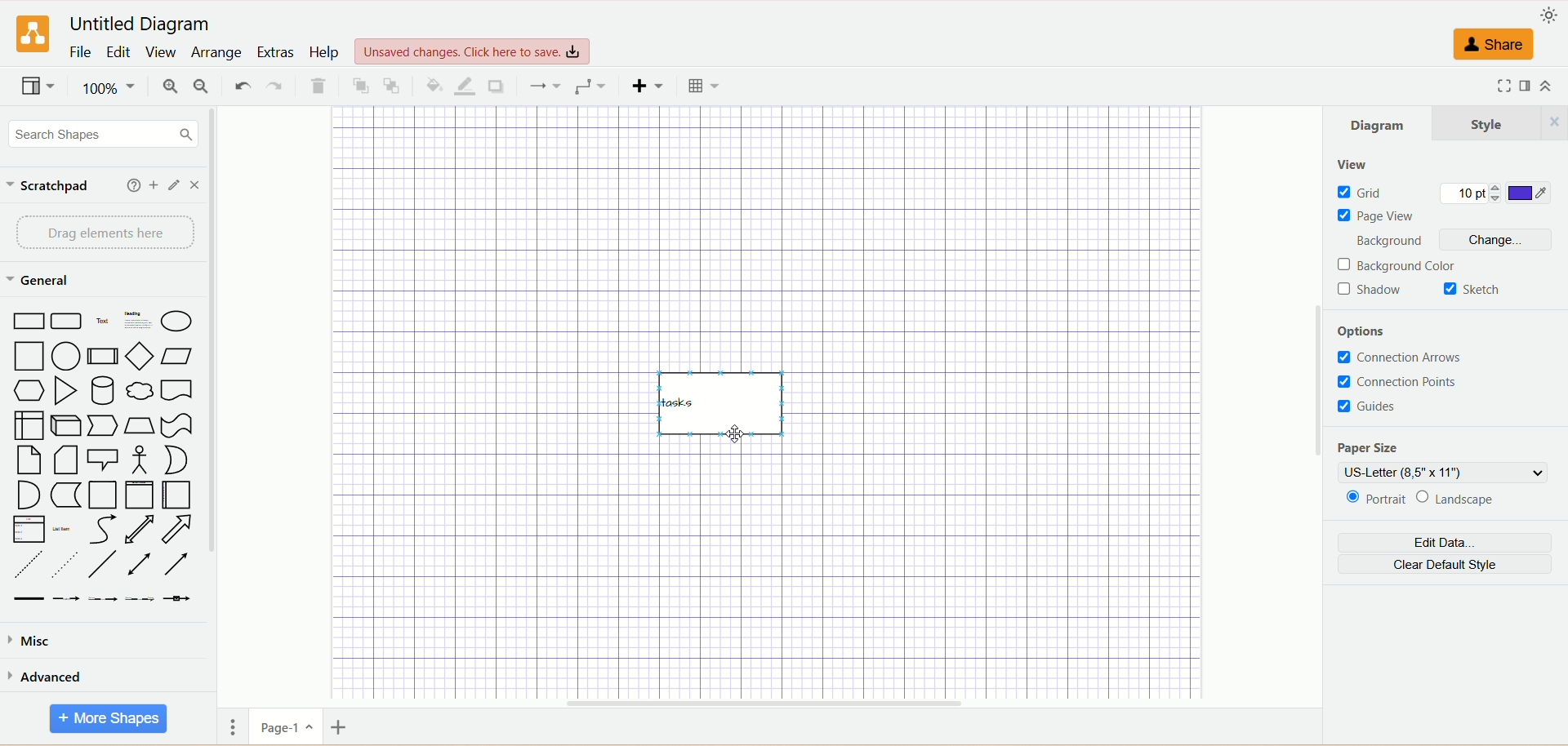  Describe the element at coordinates (202, 86) in the screenshot. I see `zoom out` at that location.